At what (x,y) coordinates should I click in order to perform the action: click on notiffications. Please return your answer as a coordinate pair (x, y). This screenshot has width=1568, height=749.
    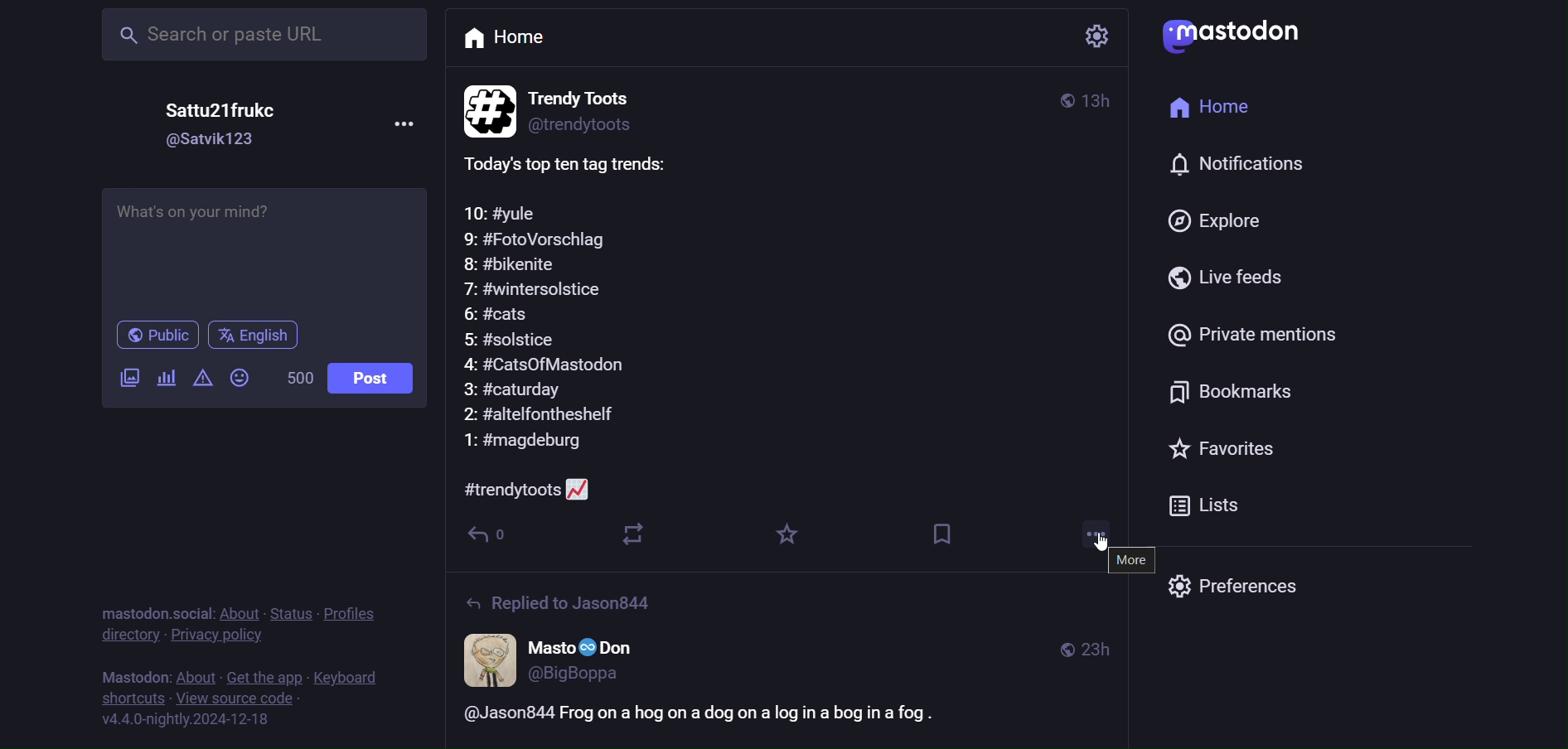
    Looking at the image, I should click on (1227, 167).